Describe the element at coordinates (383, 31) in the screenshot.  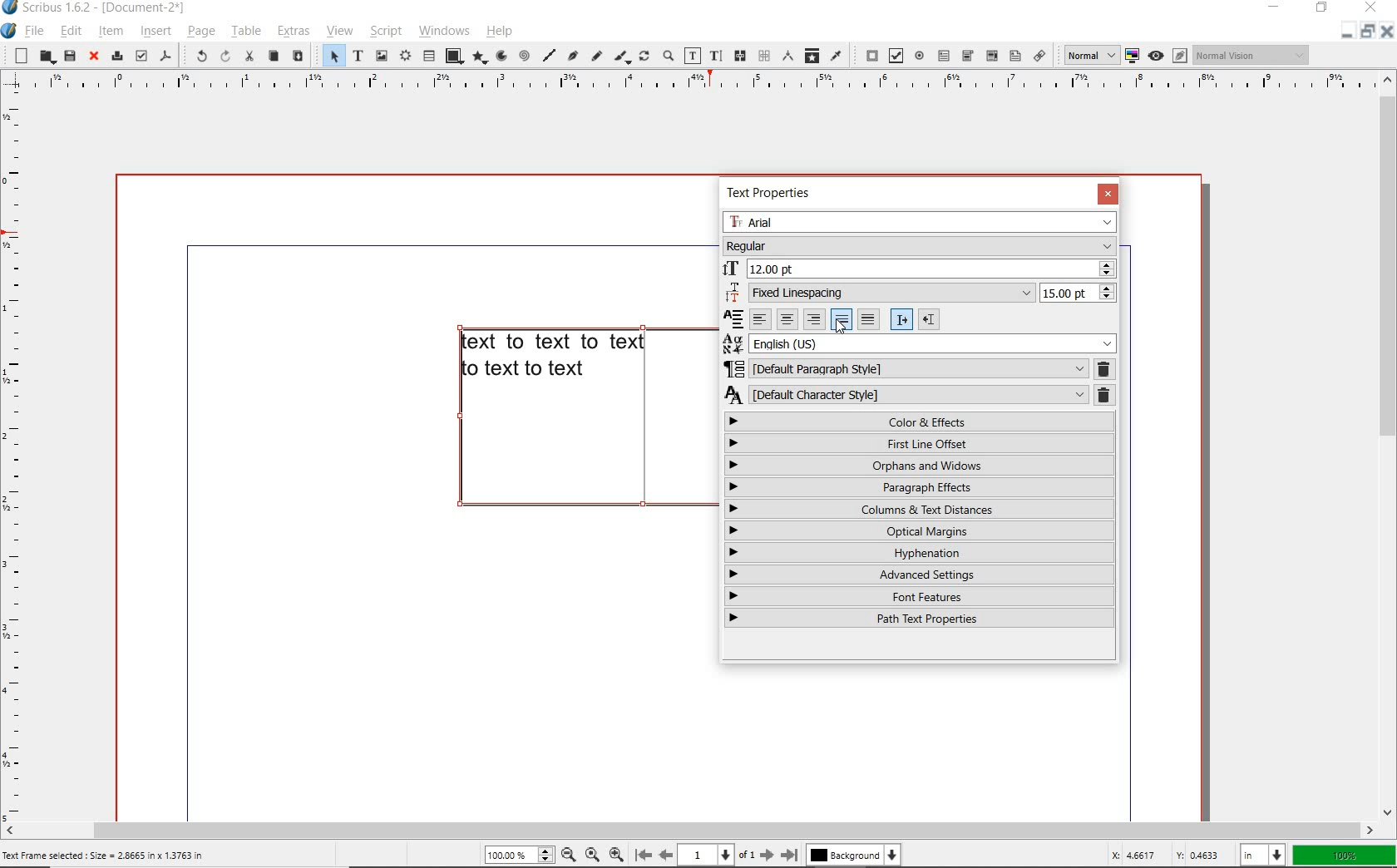
I see `script` at that location.